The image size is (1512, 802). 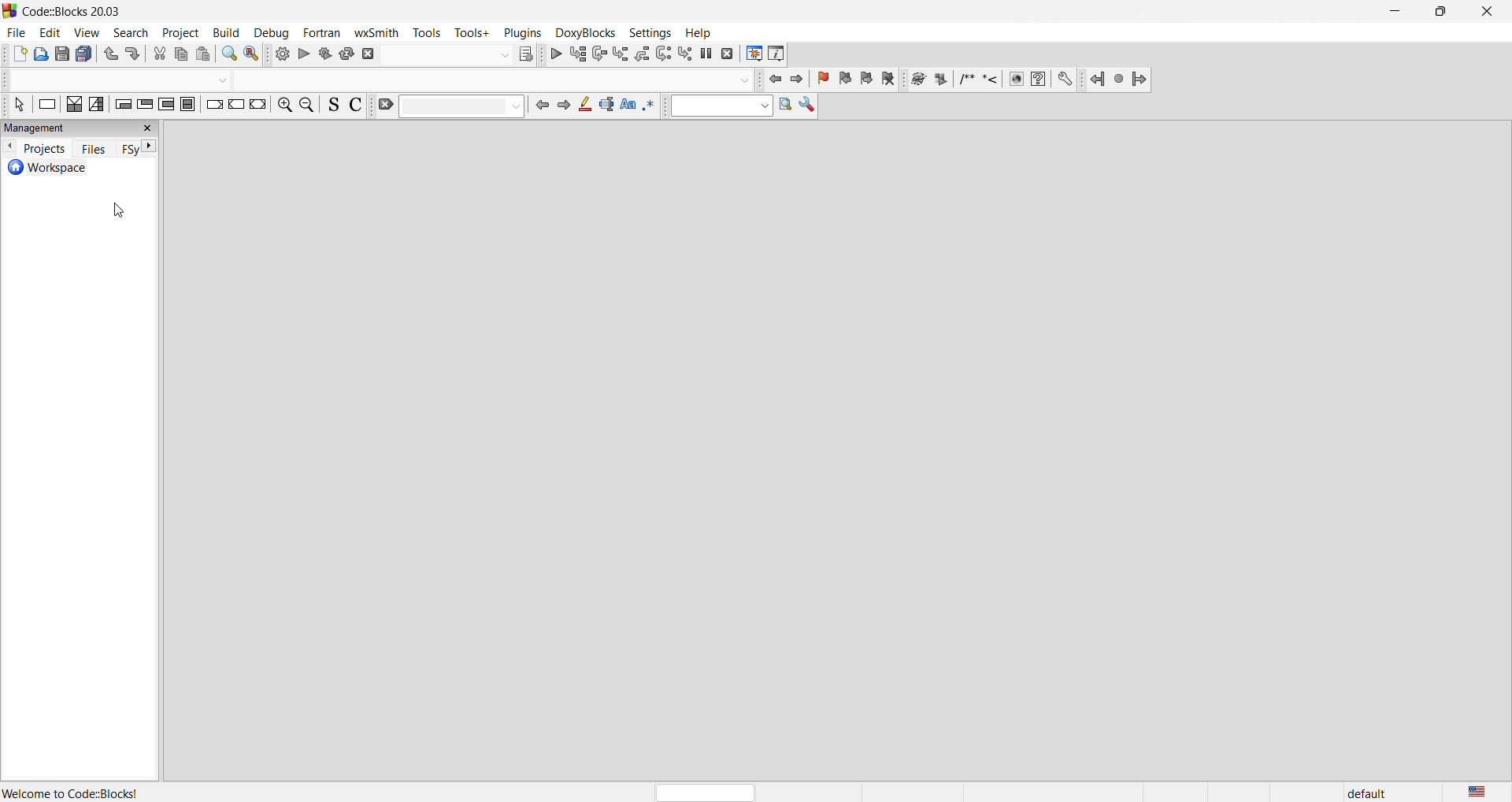 I want to click on use regex, so click(x=649, y=108).